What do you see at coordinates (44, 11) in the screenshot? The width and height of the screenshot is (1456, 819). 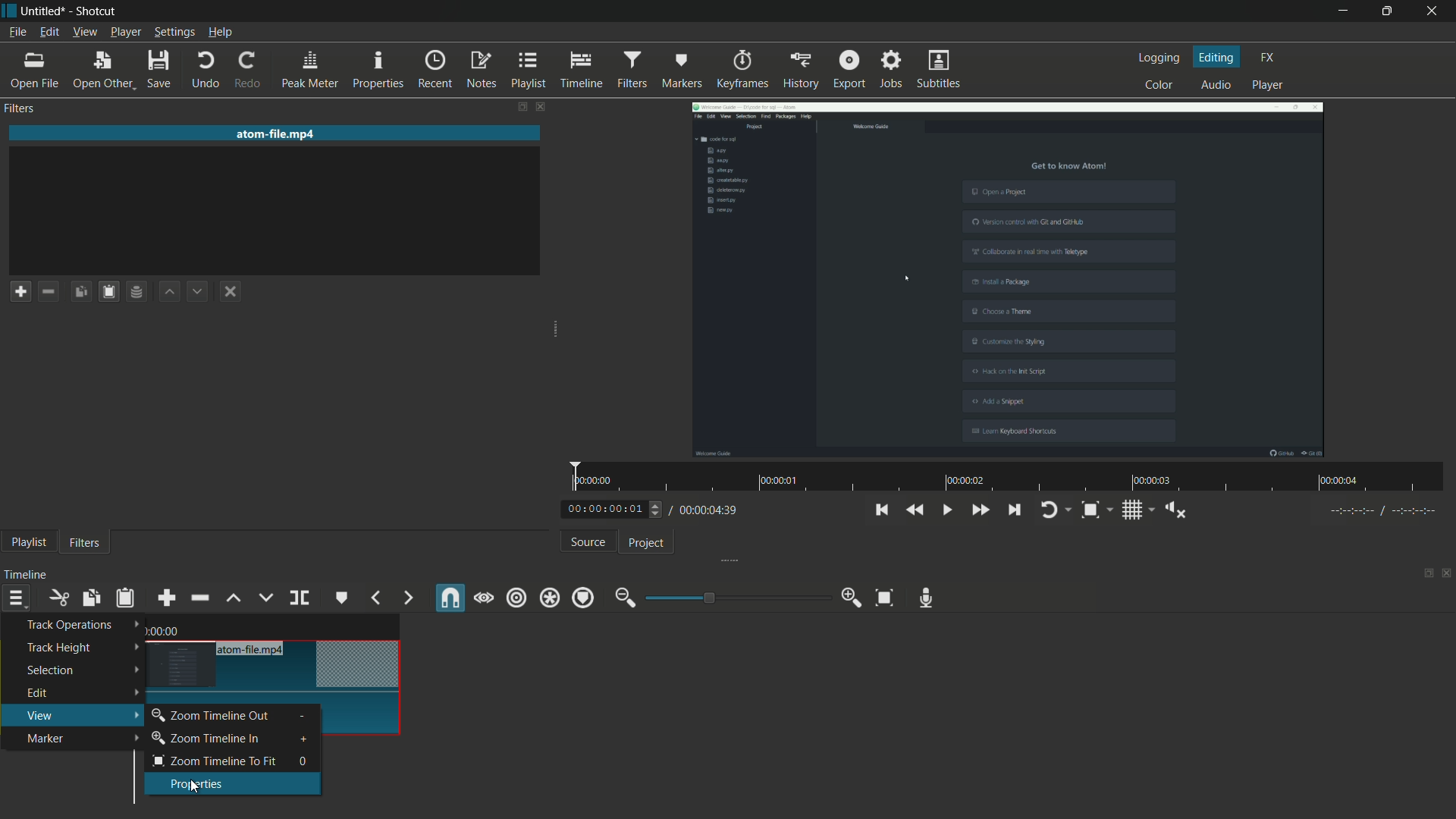 I see `project name` at bounding box center [44, 11].